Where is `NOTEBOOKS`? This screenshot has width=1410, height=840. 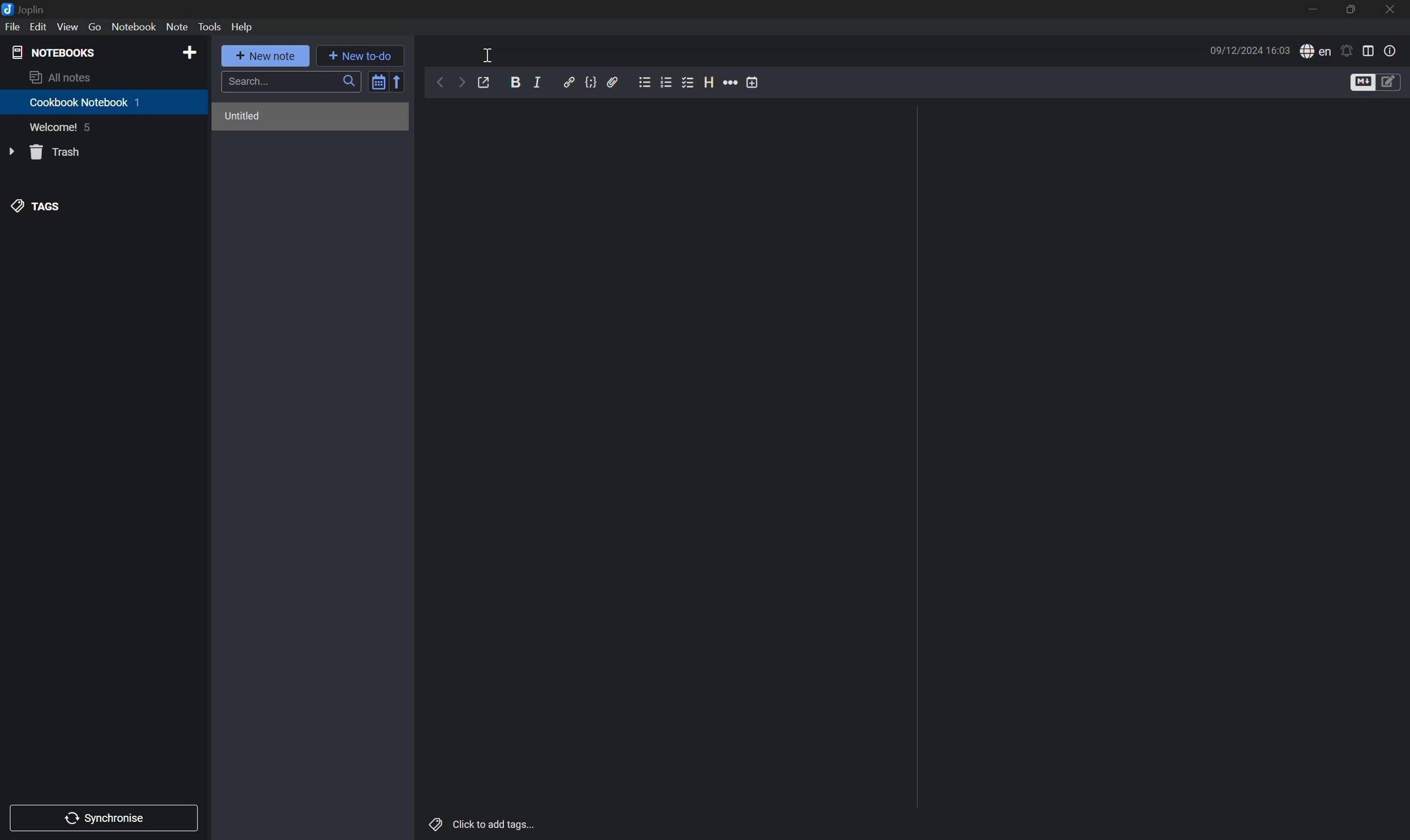
NOTEBOOKS is located at coordinates (53, 53).